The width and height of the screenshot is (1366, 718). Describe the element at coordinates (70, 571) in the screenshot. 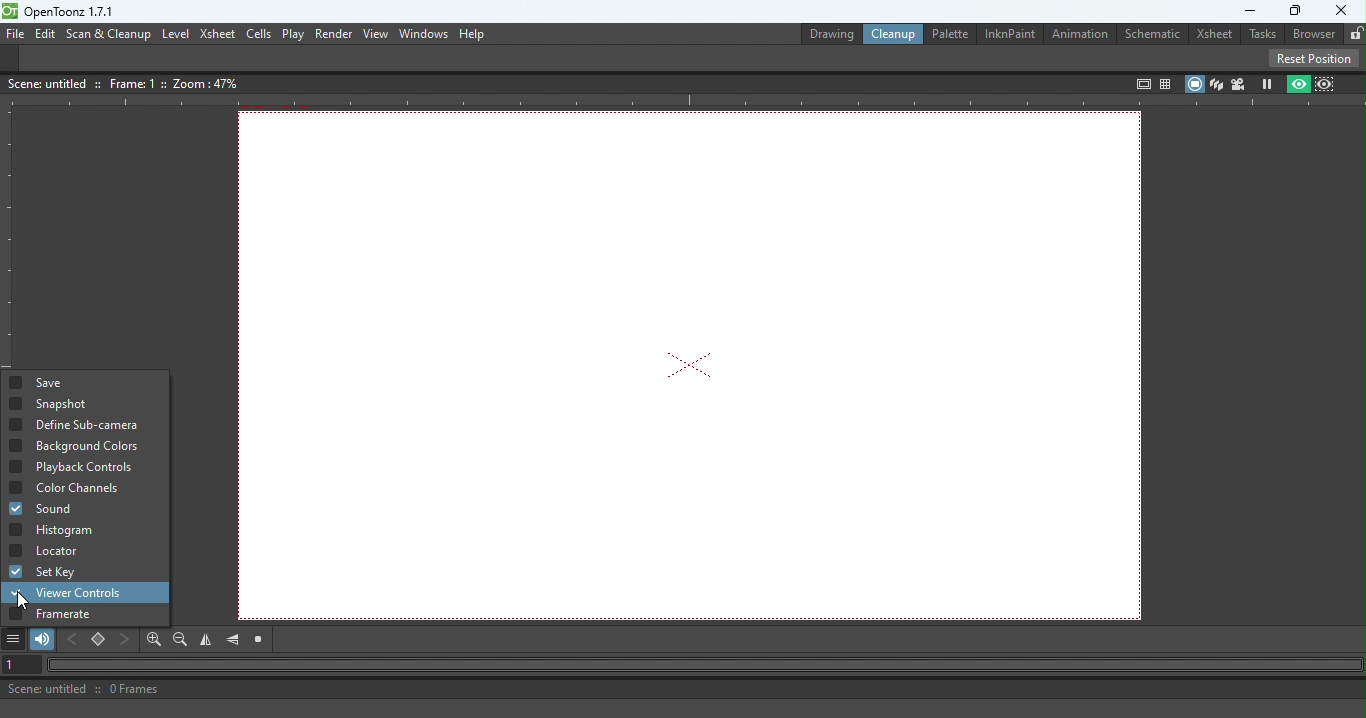

I see `Set Key` at that location.